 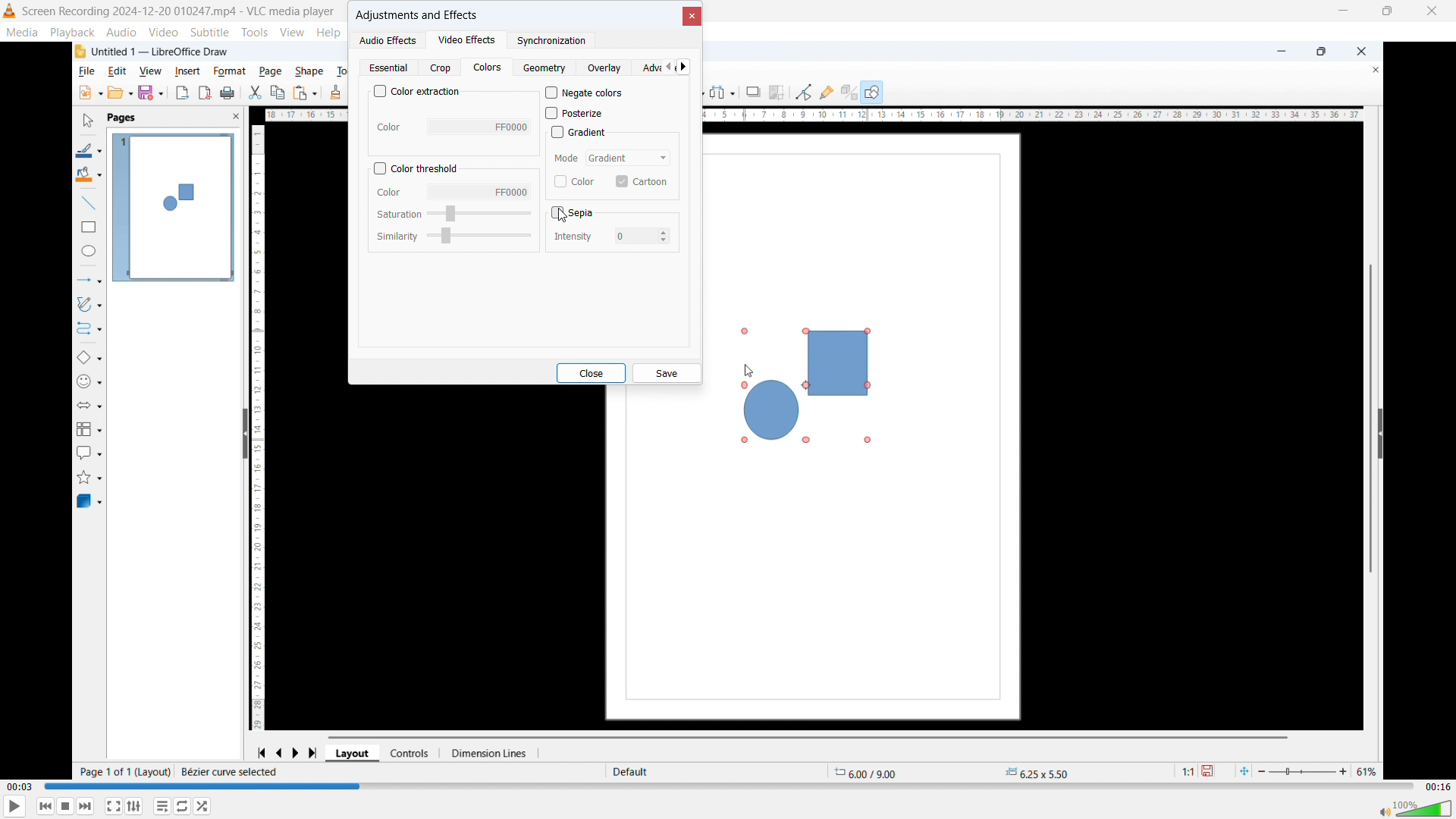 I want to click on Save , so click(x=667, y=374).